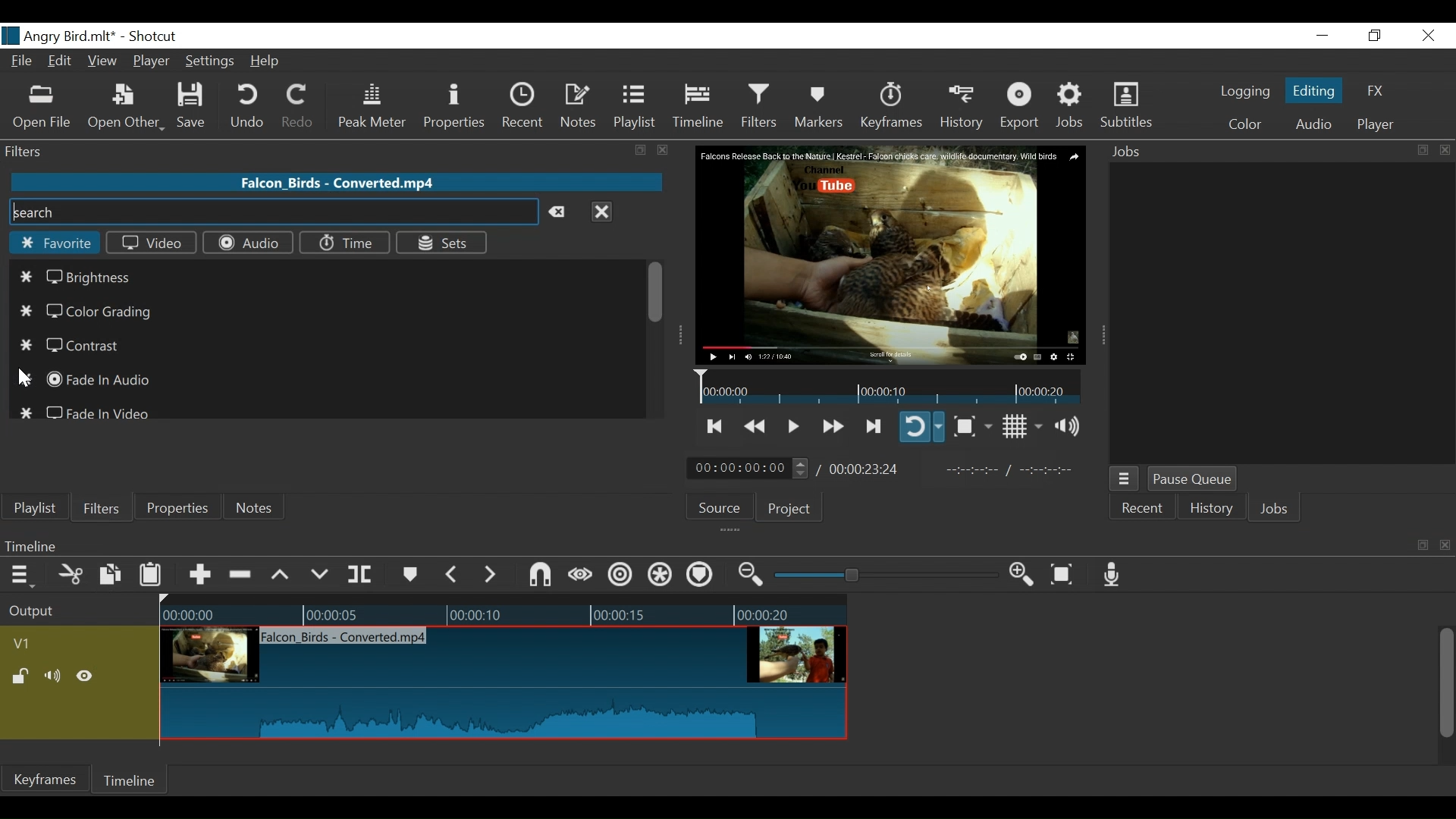 Image resolution: width=1456 pixels, height=819 pixels. Describe the element at coordinates (112, 35) in the screenshot. I see `title` at that location.